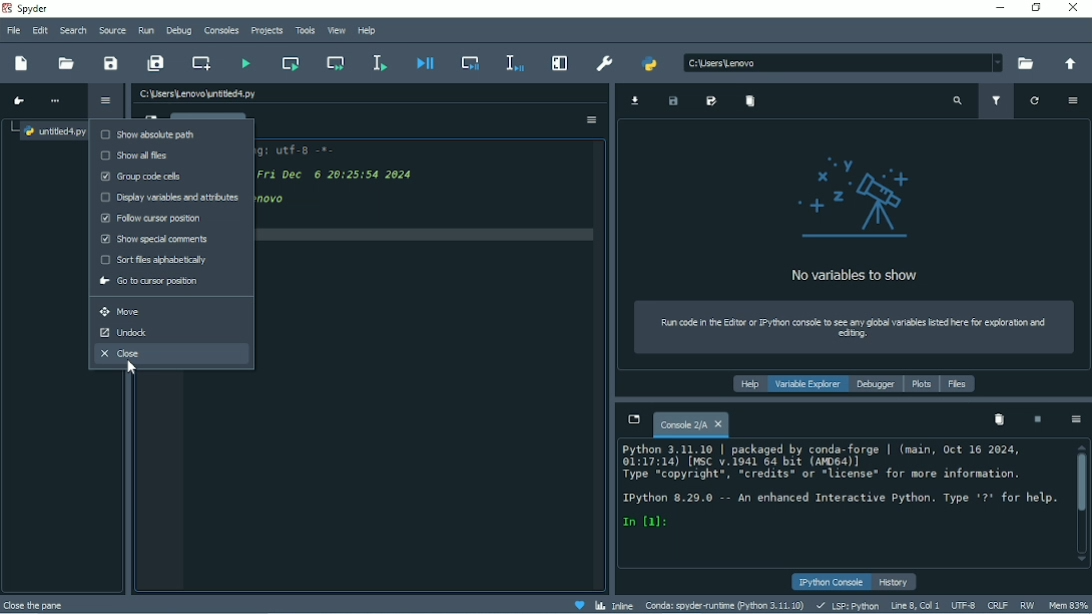 The height and width of the screenshot is (614, 1092). What do you see at coordinates (124, 312) in the screenshot?
I see `Move` at bounding box center [124, 312].